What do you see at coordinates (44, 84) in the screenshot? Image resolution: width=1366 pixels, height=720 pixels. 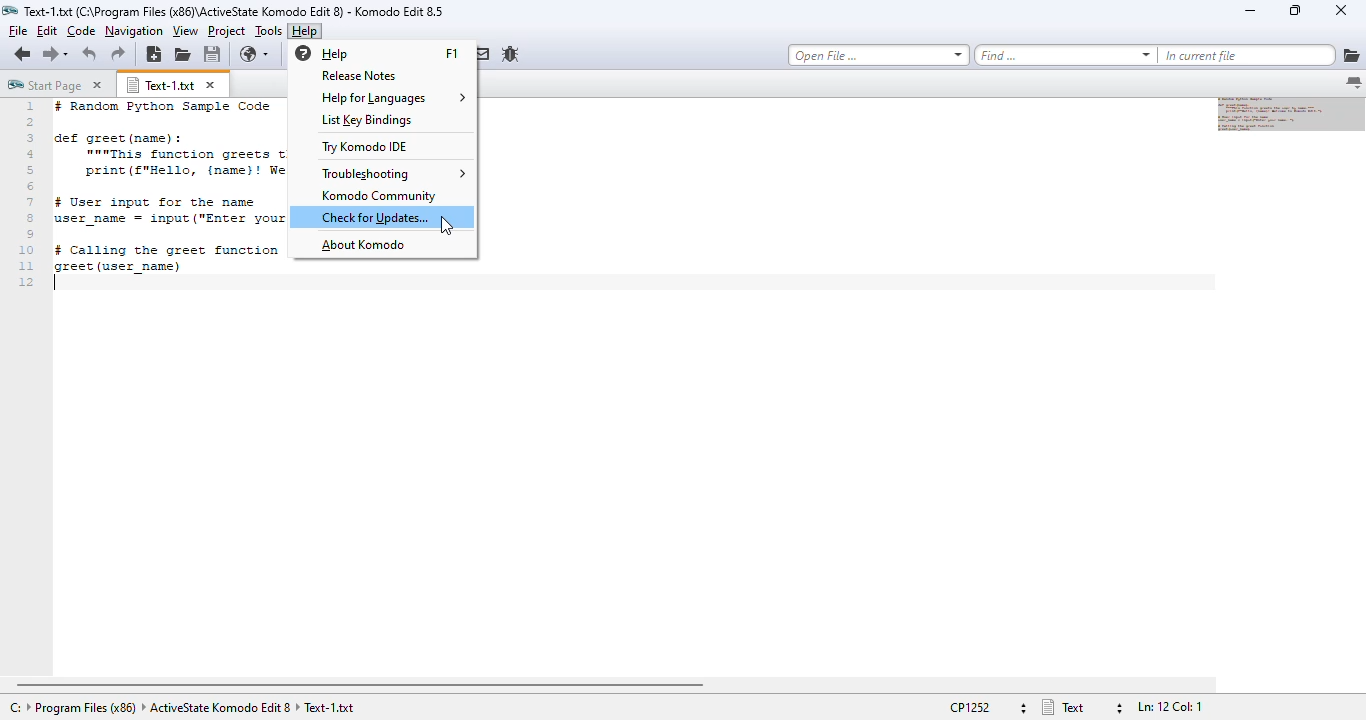 I see `start page` at bounding box center [44, 84].